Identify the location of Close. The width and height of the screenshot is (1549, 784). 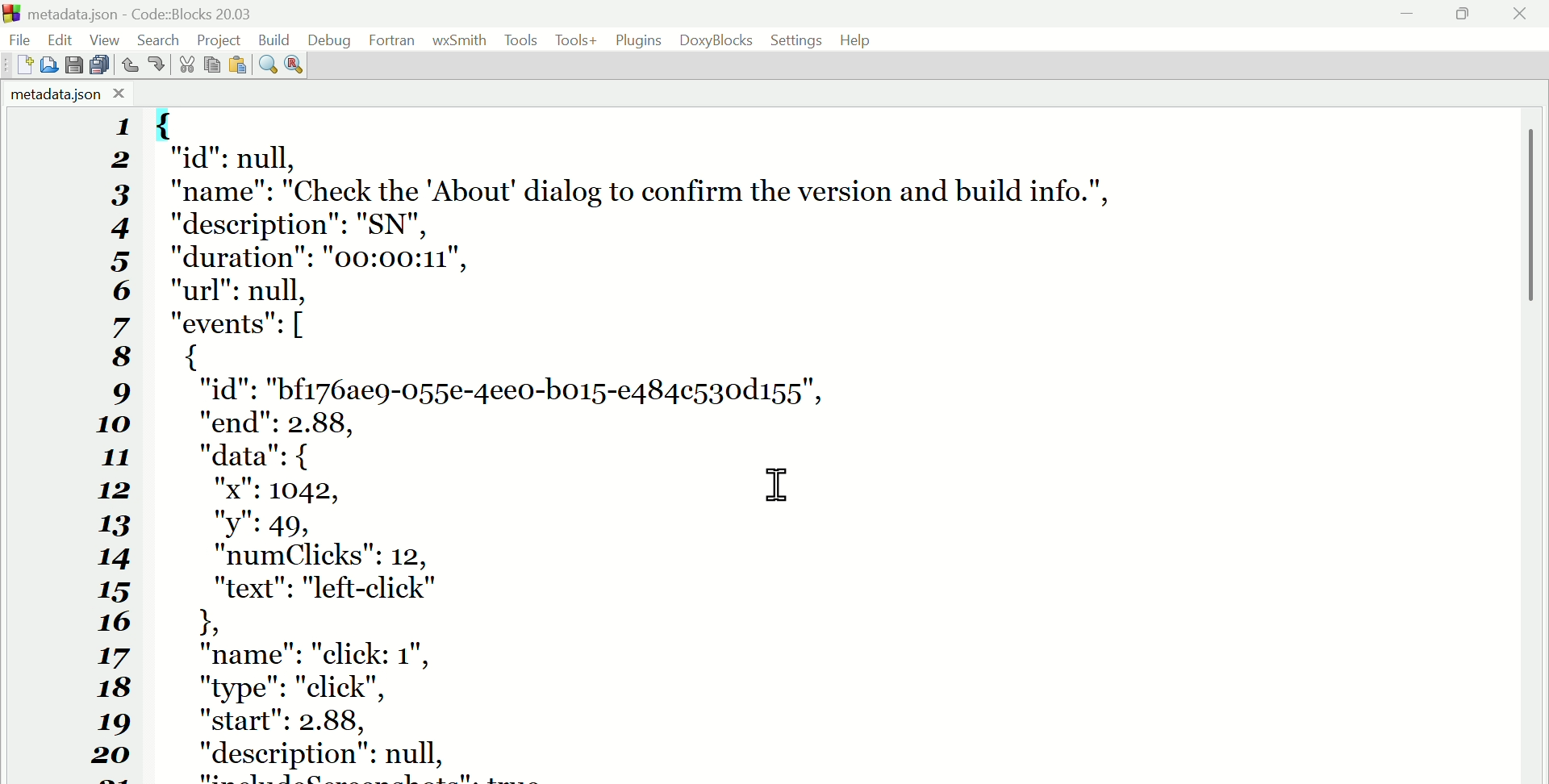
(1521, 15).